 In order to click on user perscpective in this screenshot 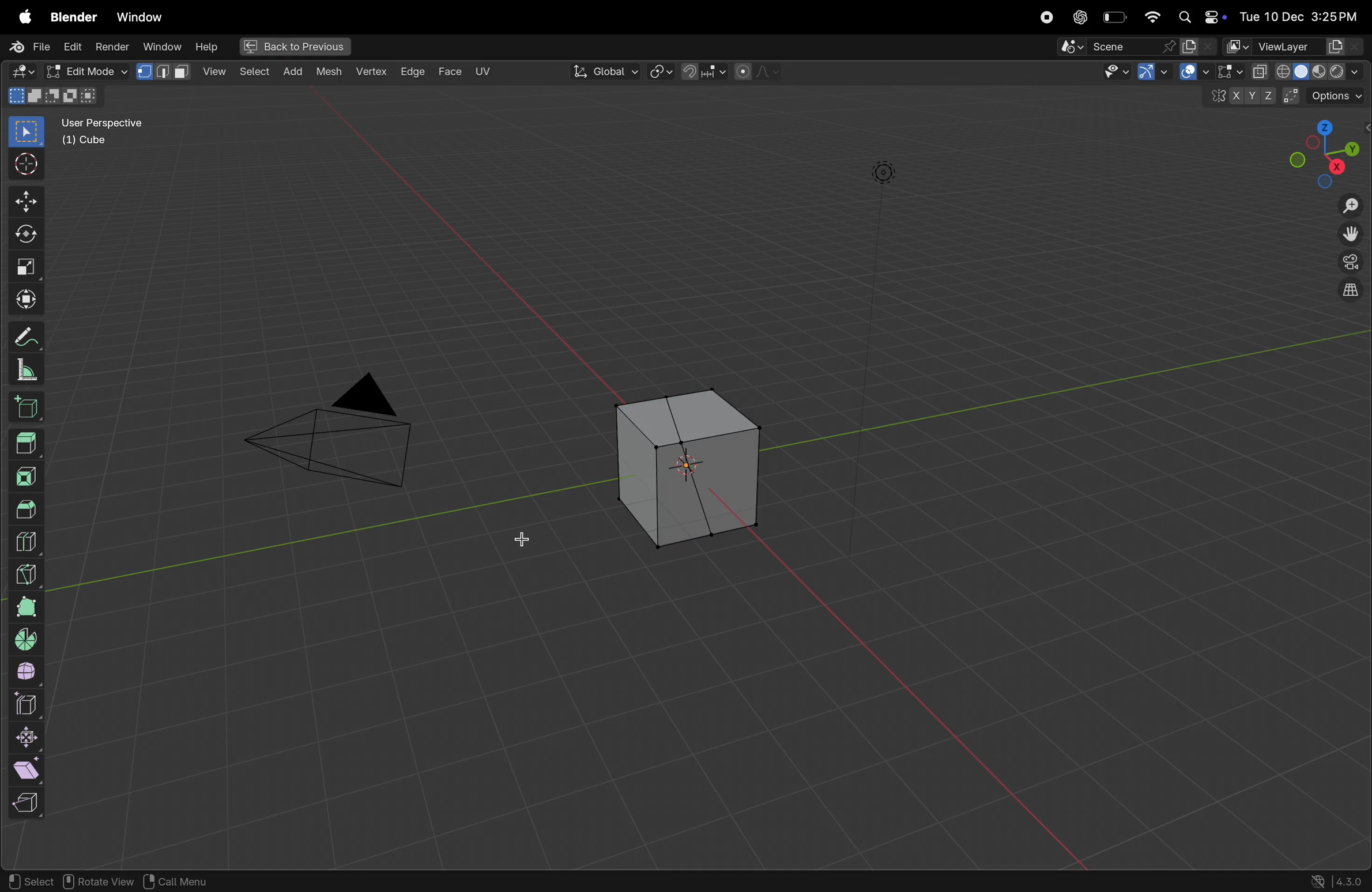, I will do `click(110, 131)`.